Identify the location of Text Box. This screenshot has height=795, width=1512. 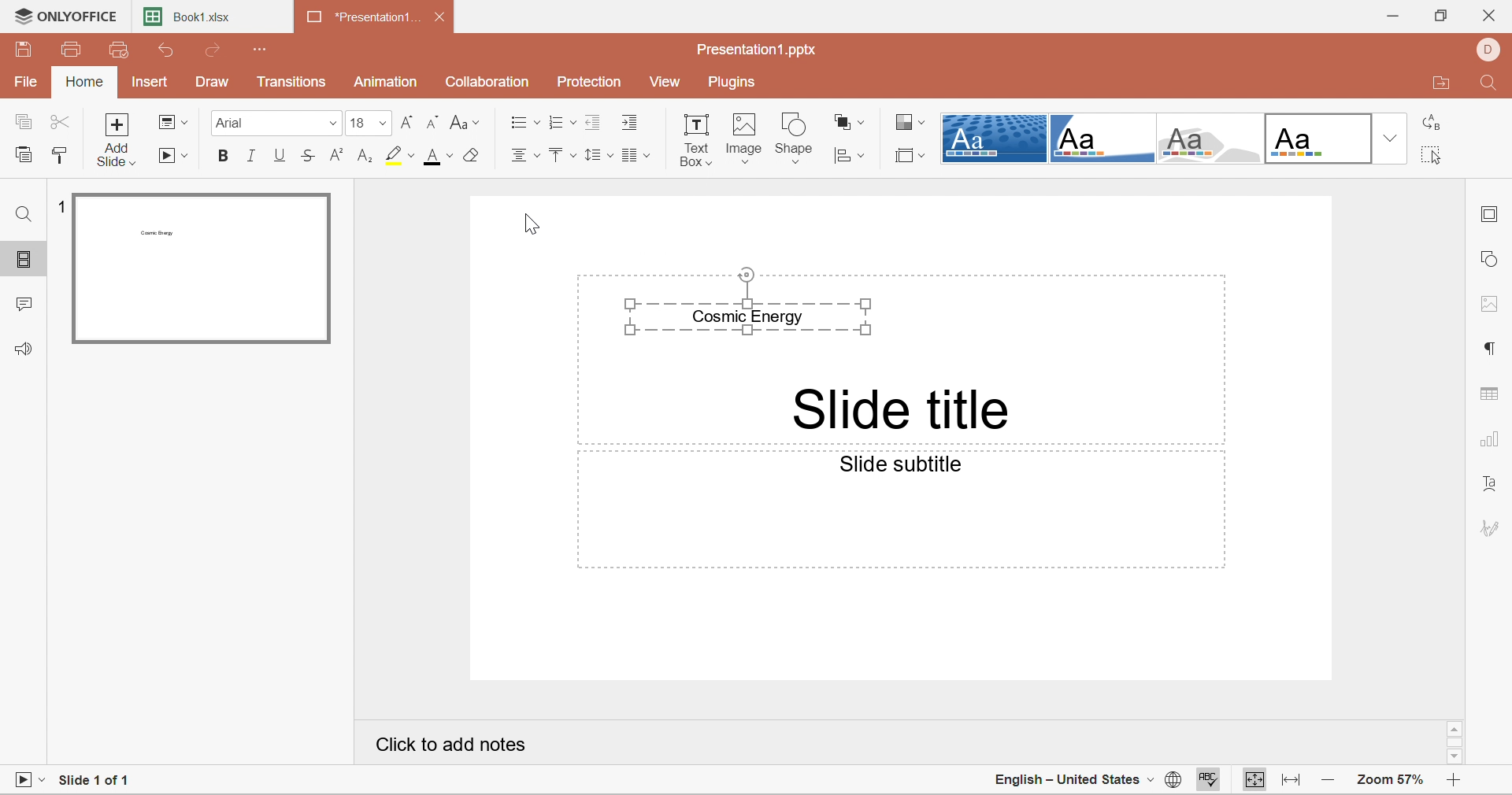
(697, 138).